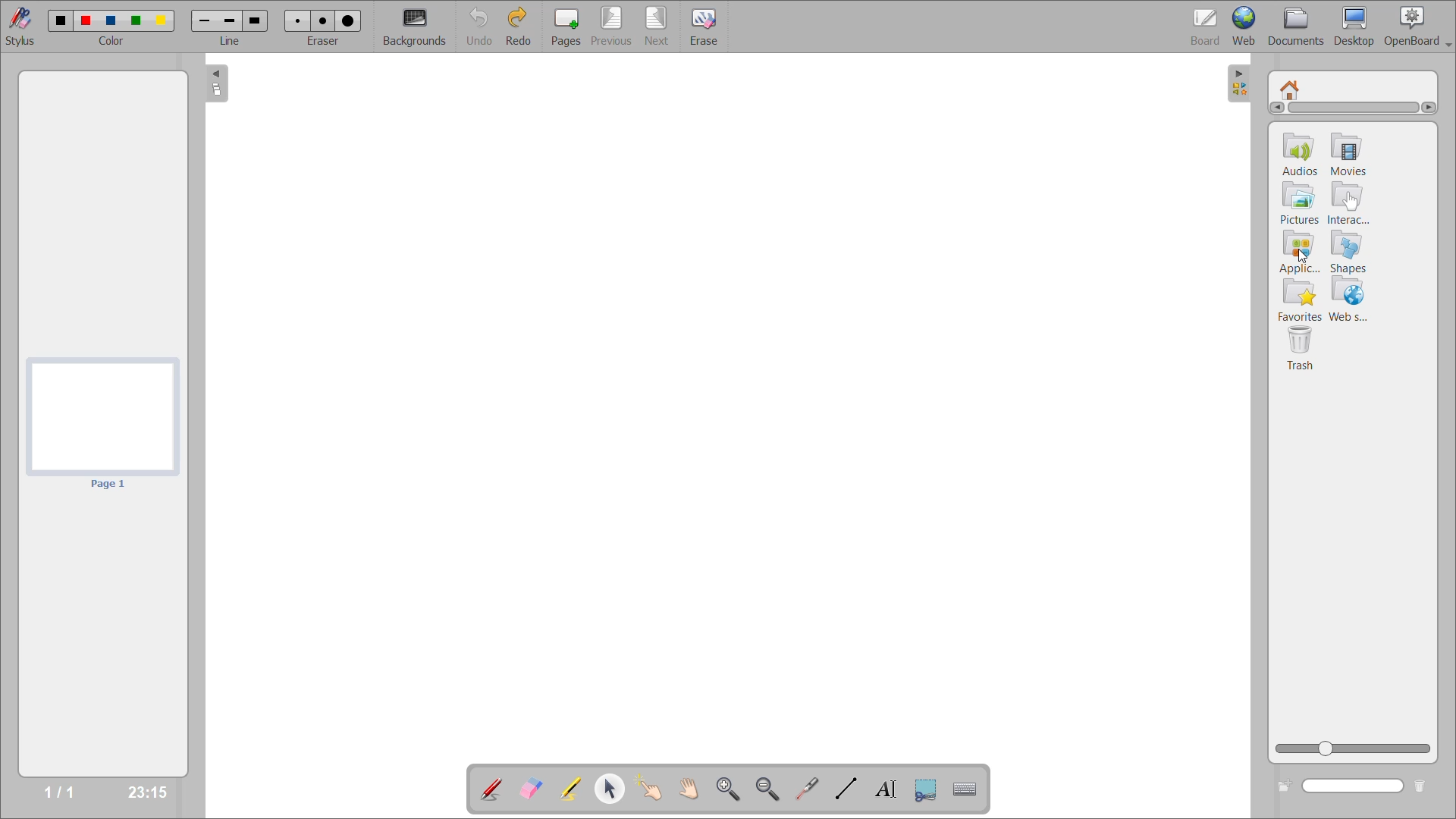  Describe the element at coordinates (481, 25) in the screenshot. I see `undo` at that location.